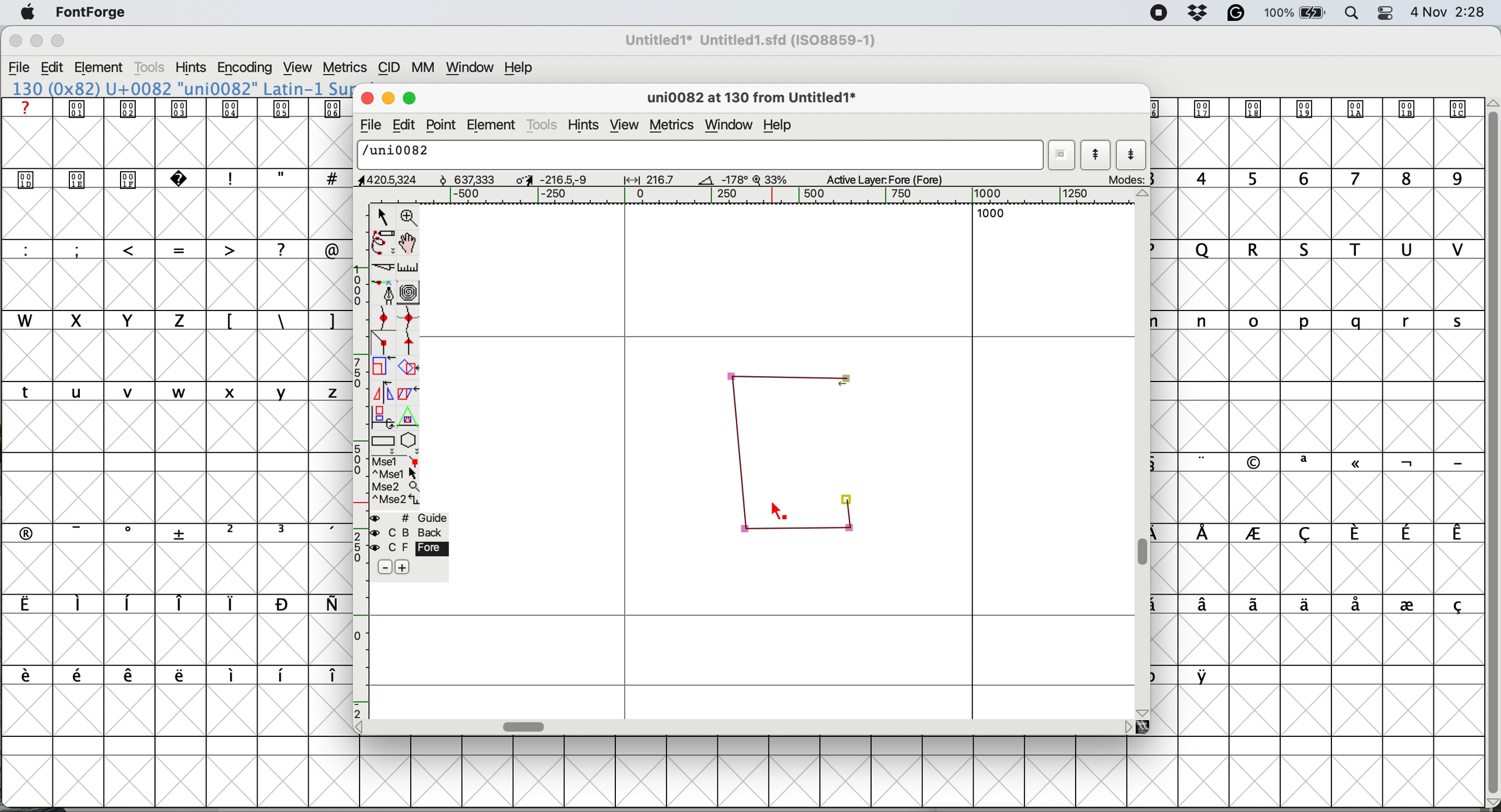 The width and height of the screenshot is (1501, 812). What do you see at coordinates (383, 344) in the screenshot?
I see `add a corner point` at bounding box center [383, 344].